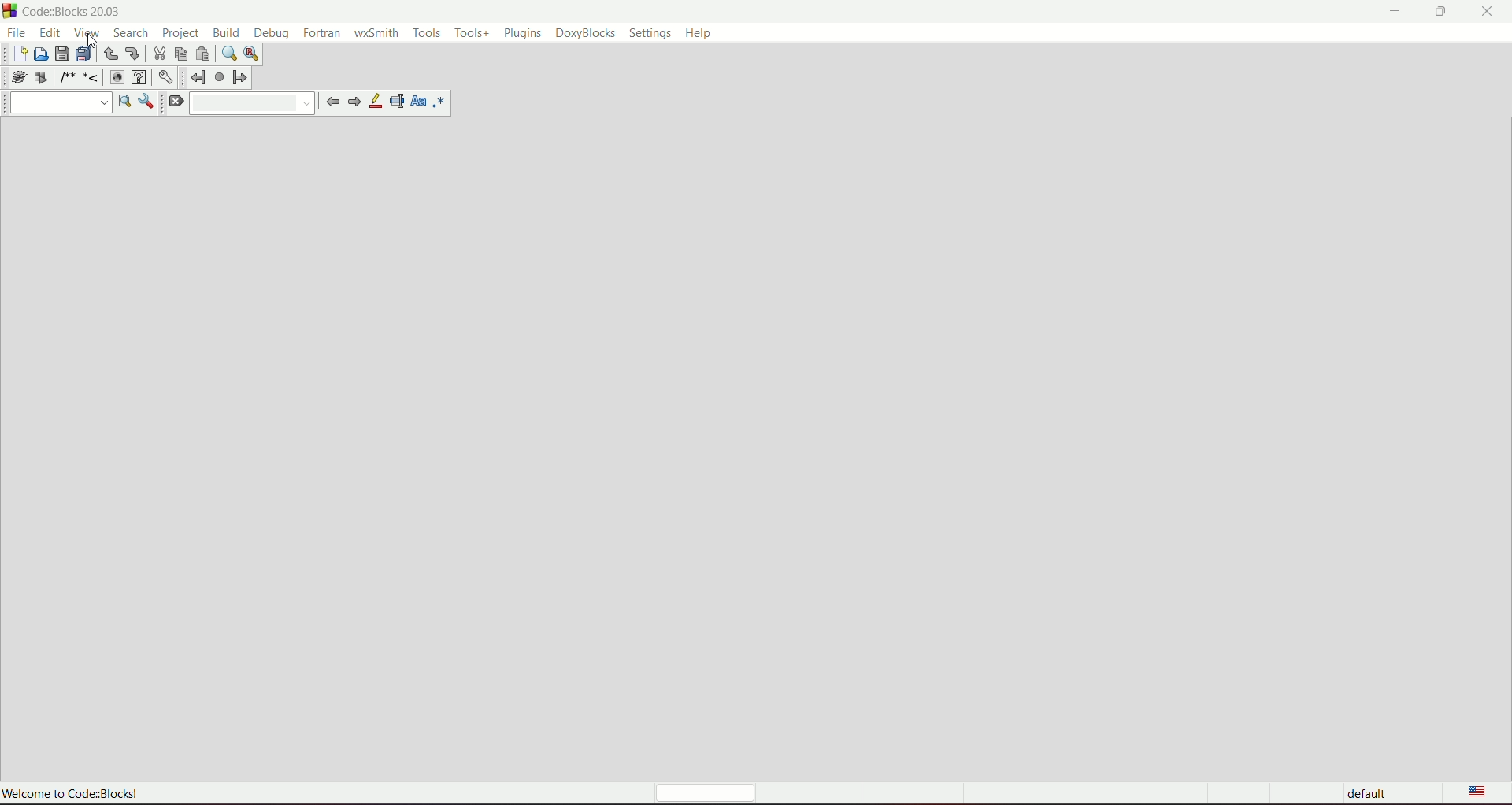 This screenshot has height=805, width=1512. I want to click on next, so click(355, 102).